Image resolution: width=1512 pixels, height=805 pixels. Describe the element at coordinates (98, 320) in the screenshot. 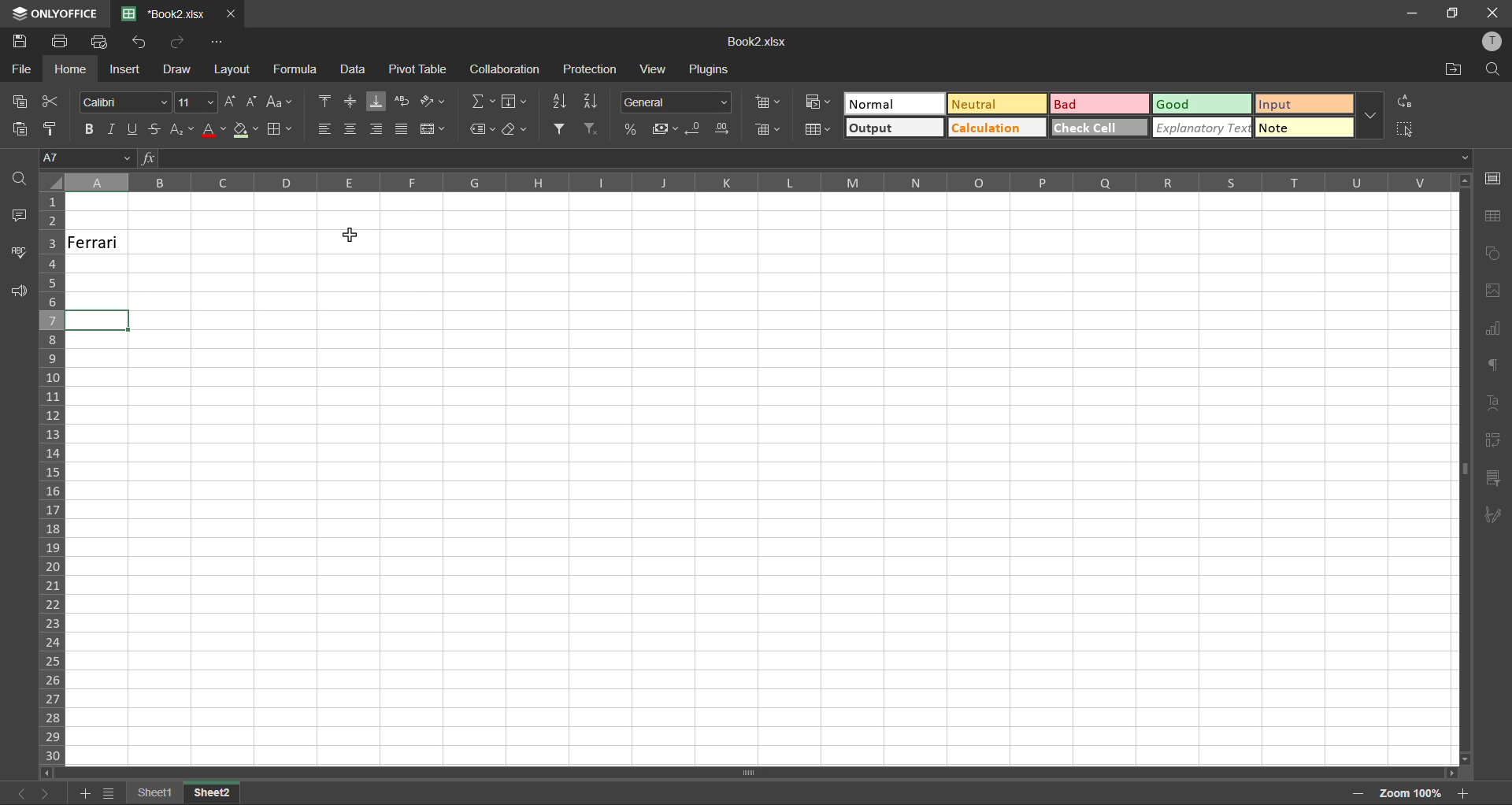

I see `Selected Cell` at that location.